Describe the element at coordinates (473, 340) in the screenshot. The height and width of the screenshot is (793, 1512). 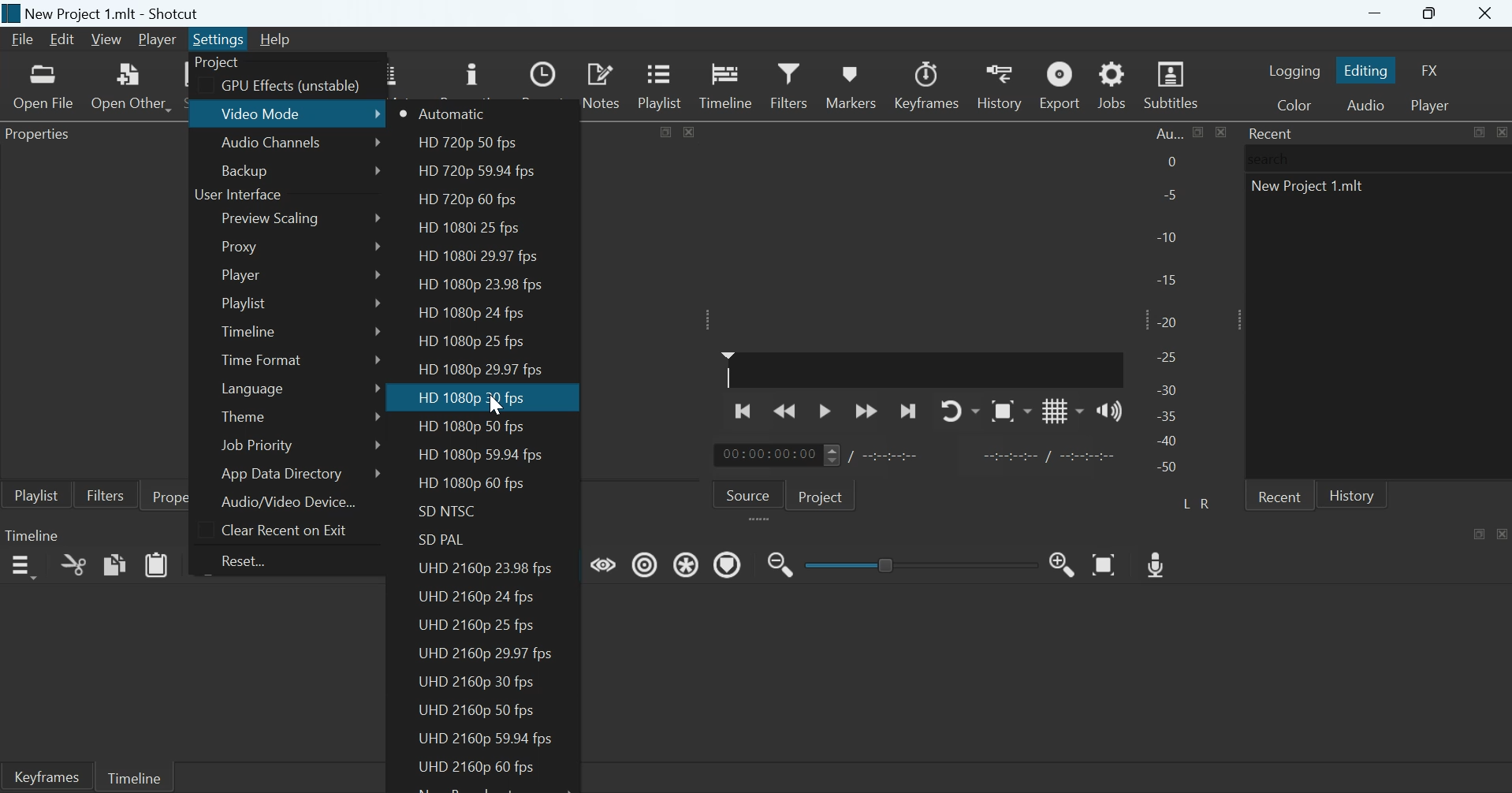
I see `HD 1080p 25fps` at that location.